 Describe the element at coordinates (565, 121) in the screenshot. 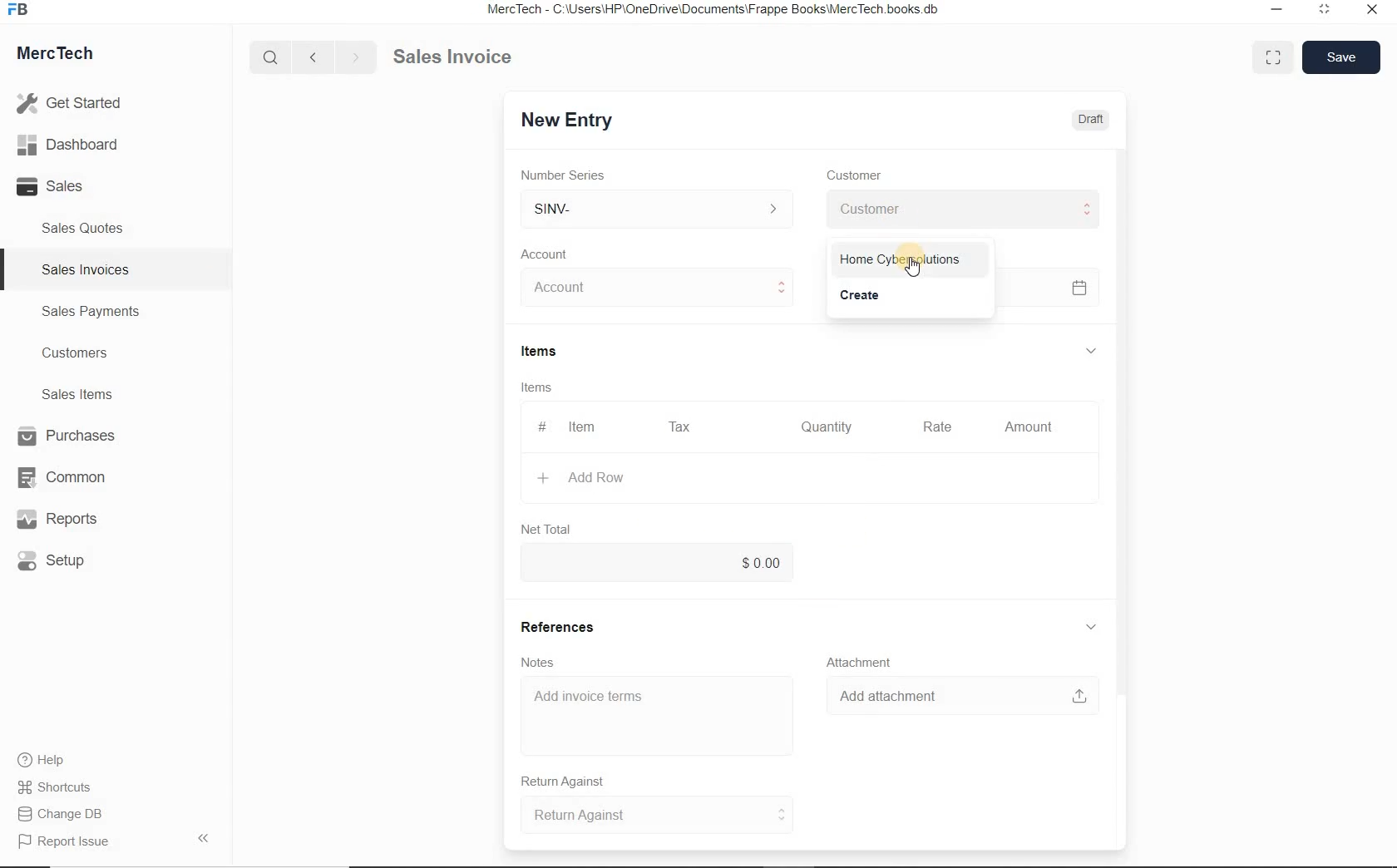

I see `New Entry` at that location.